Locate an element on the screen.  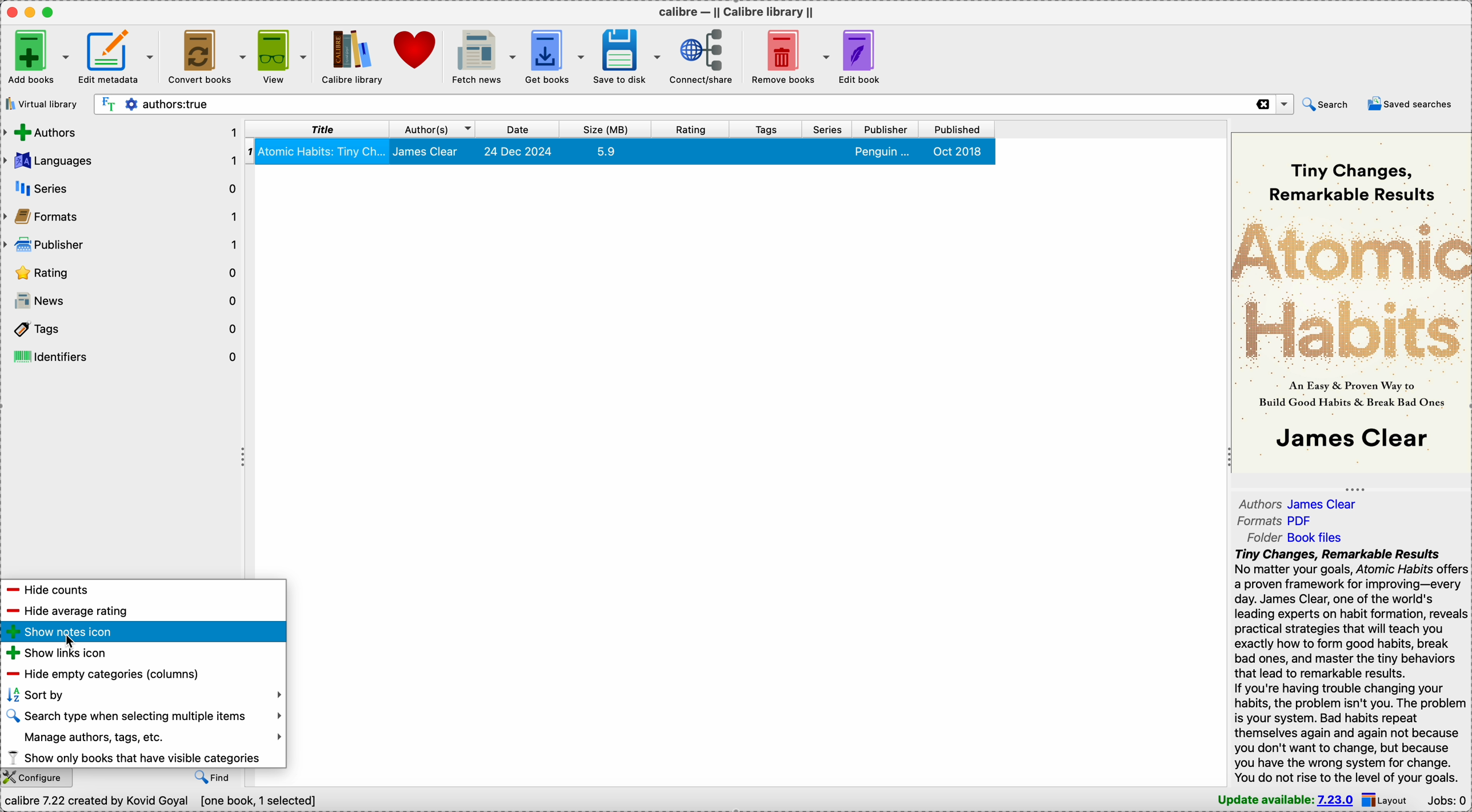
toggle expand/contract is located at coordinates (1227, 455).